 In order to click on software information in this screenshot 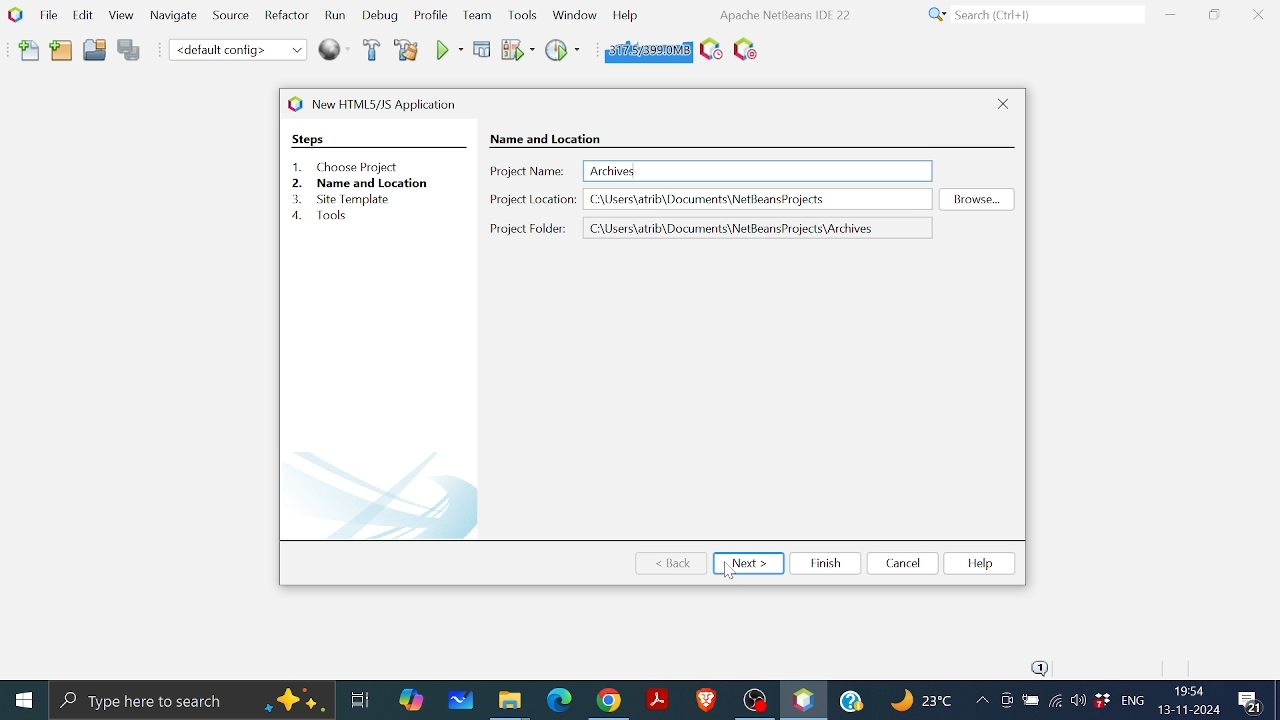, I will do `click(783, 14)`.